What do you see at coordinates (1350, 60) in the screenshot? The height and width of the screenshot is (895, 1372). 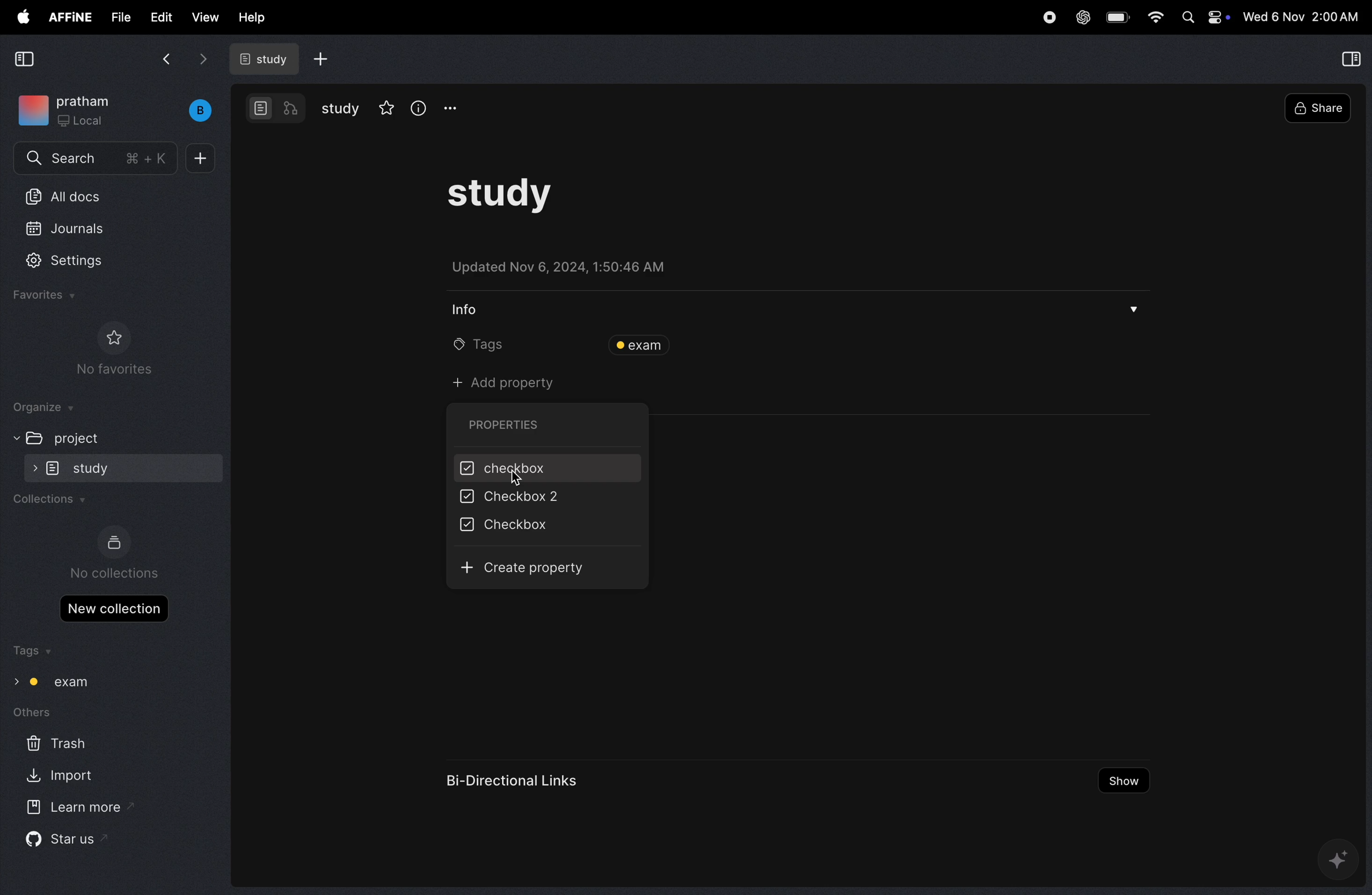 I see `collapse view` at bounding box center [1350, 60].